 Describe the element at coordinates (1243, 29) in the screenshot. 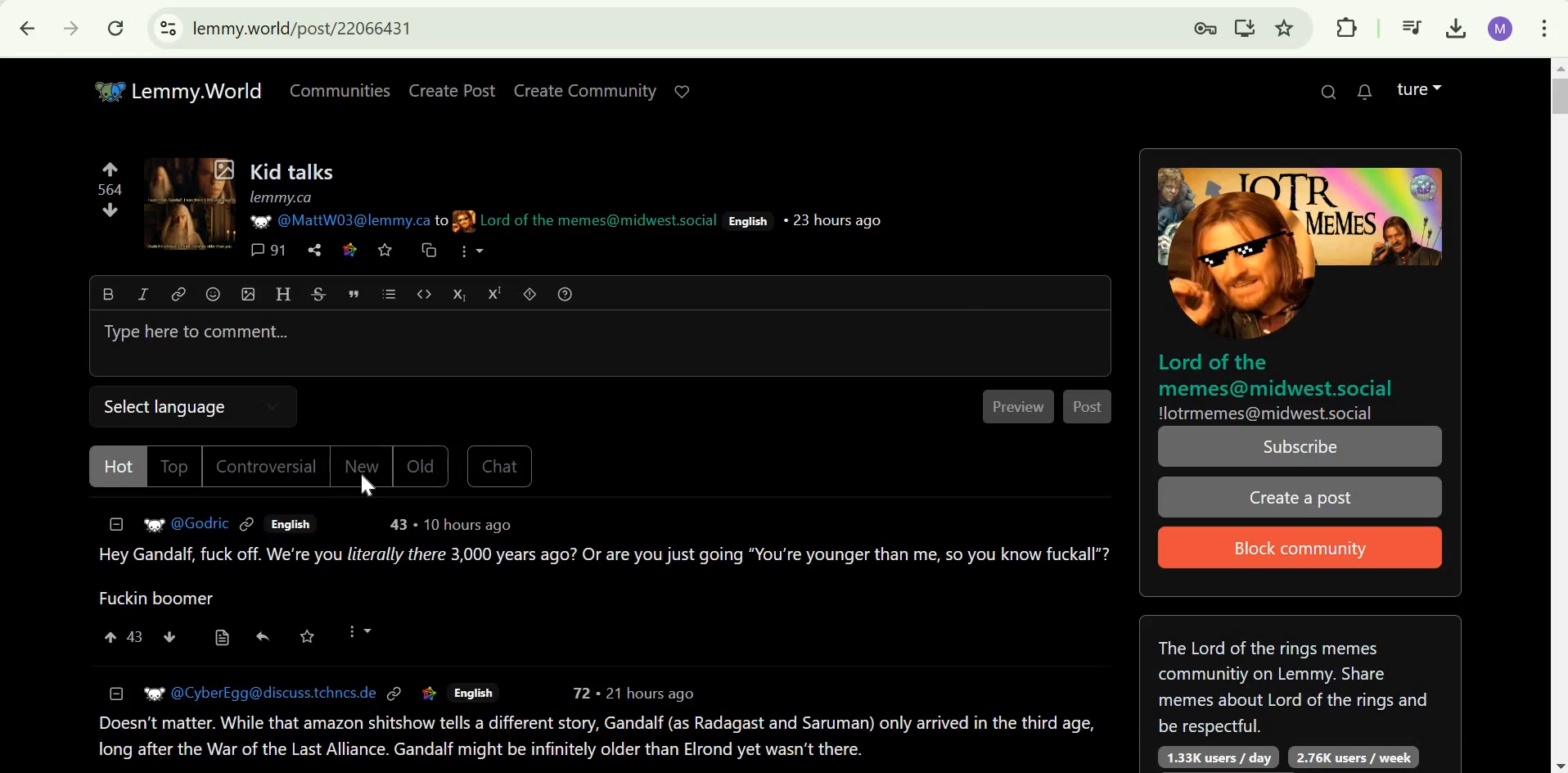

I see `Install lemmy.world` at that location.